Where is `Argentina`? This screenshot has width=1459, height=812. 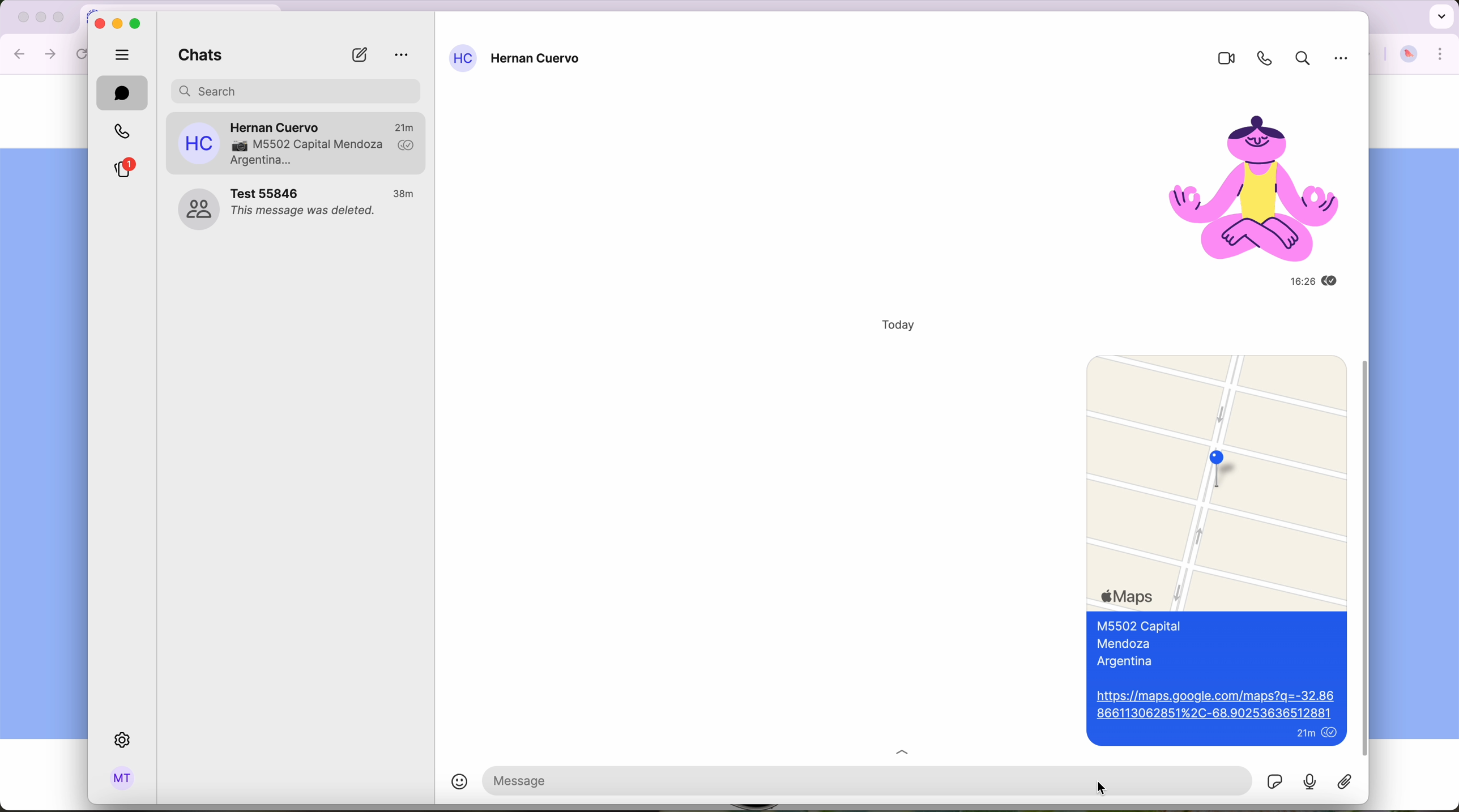
Argentina is located at coordinates (1129, 663).